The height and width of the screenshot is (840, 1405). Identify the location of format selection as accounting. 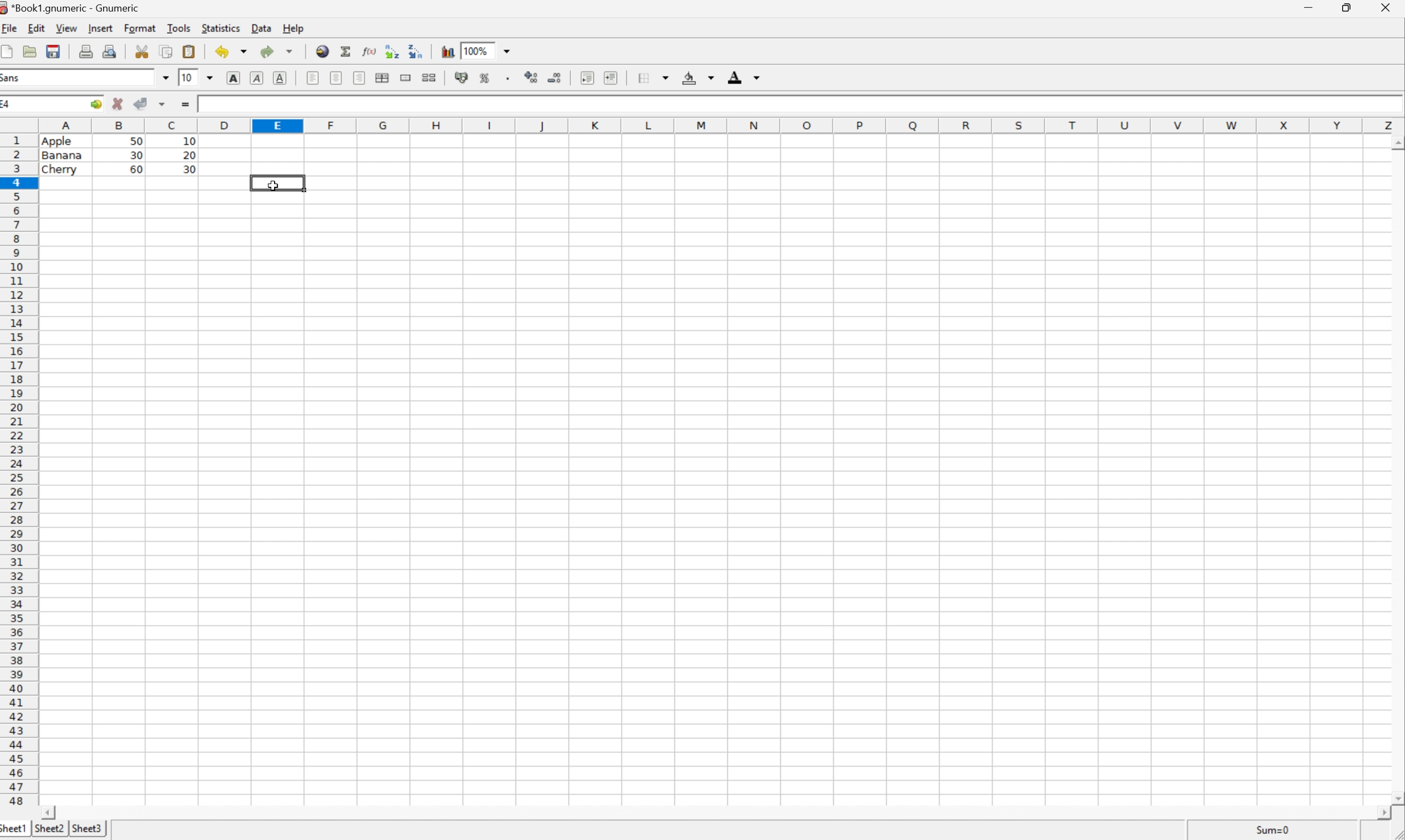
(462, 78).